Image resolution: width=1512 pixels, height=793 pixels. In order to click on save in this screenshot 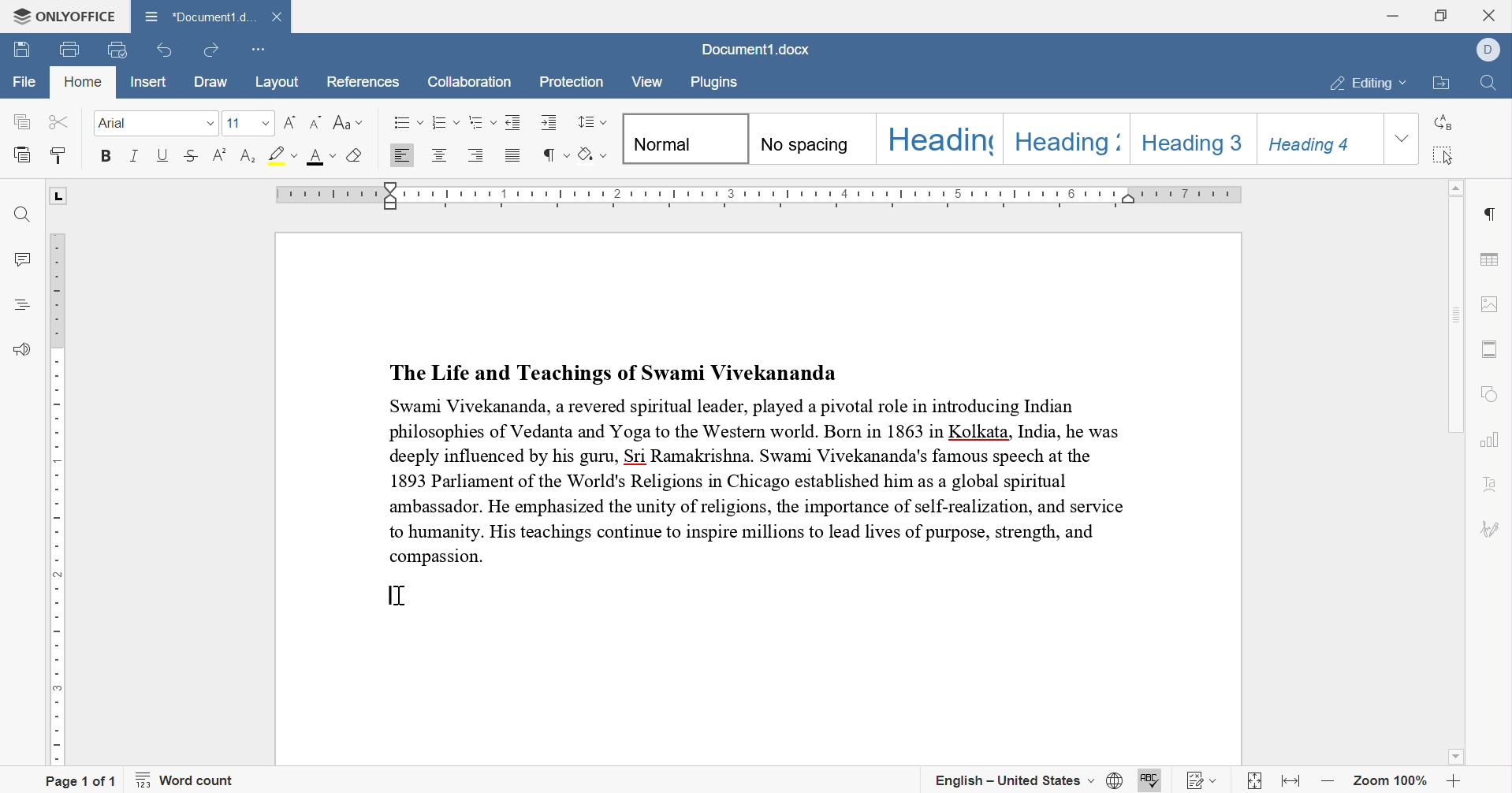, I will do `click(22, 51)`.